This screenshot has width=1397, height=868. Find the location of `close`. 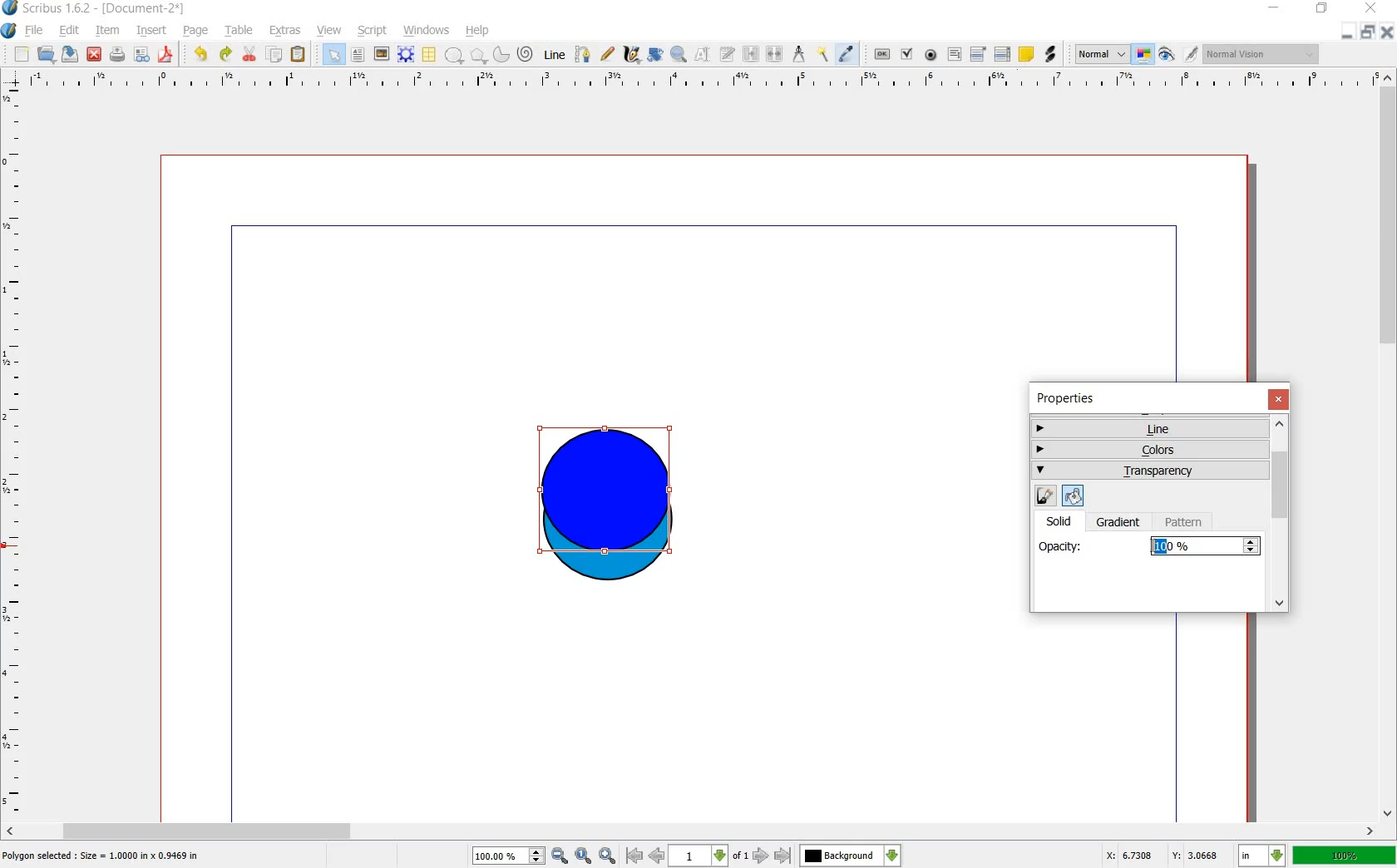

close is located at coordinates (1281, 399).